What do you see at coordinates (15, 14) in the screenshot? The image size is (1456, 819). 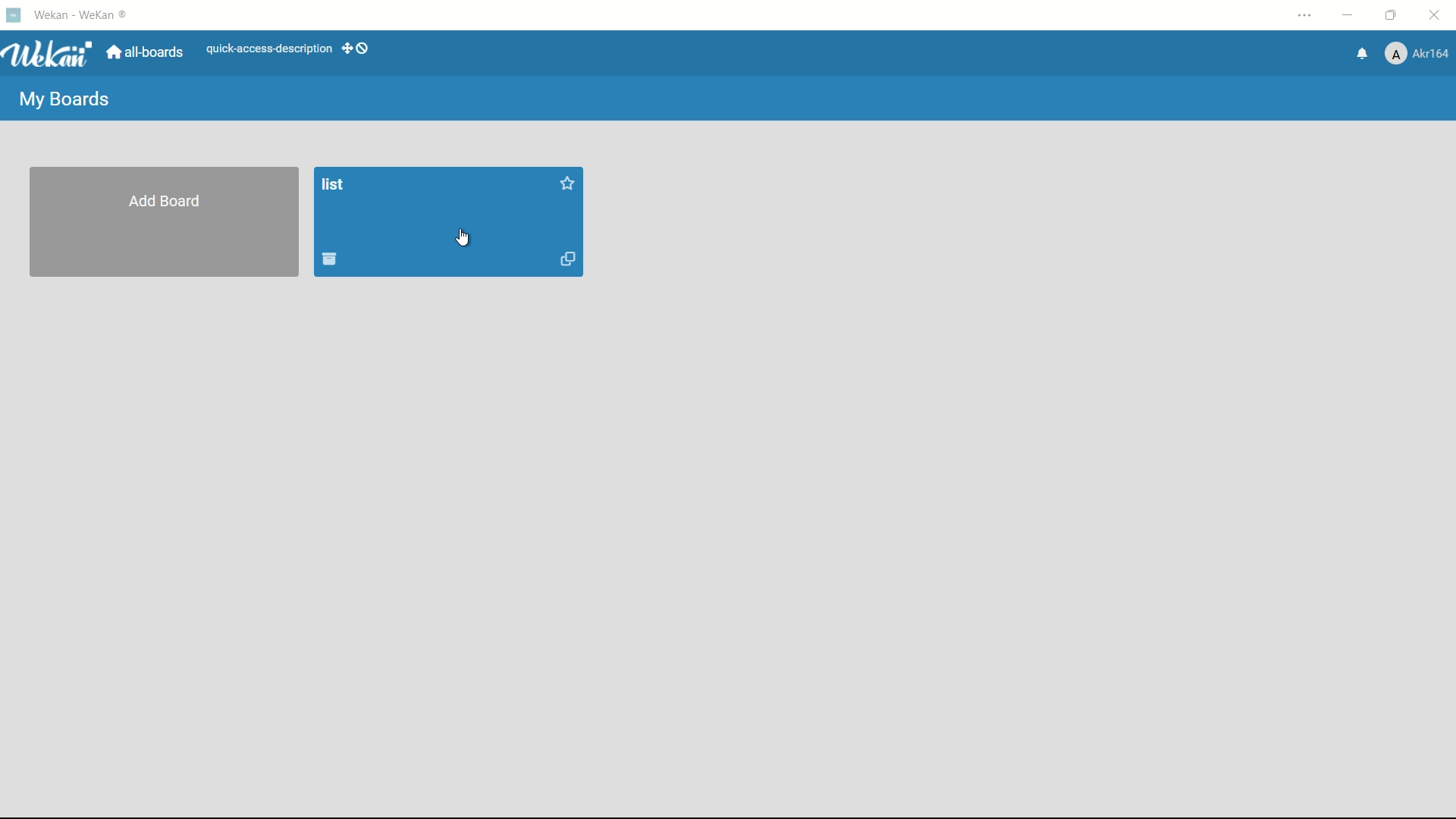 I see `wekan icon` at bounding box center [15, 14].